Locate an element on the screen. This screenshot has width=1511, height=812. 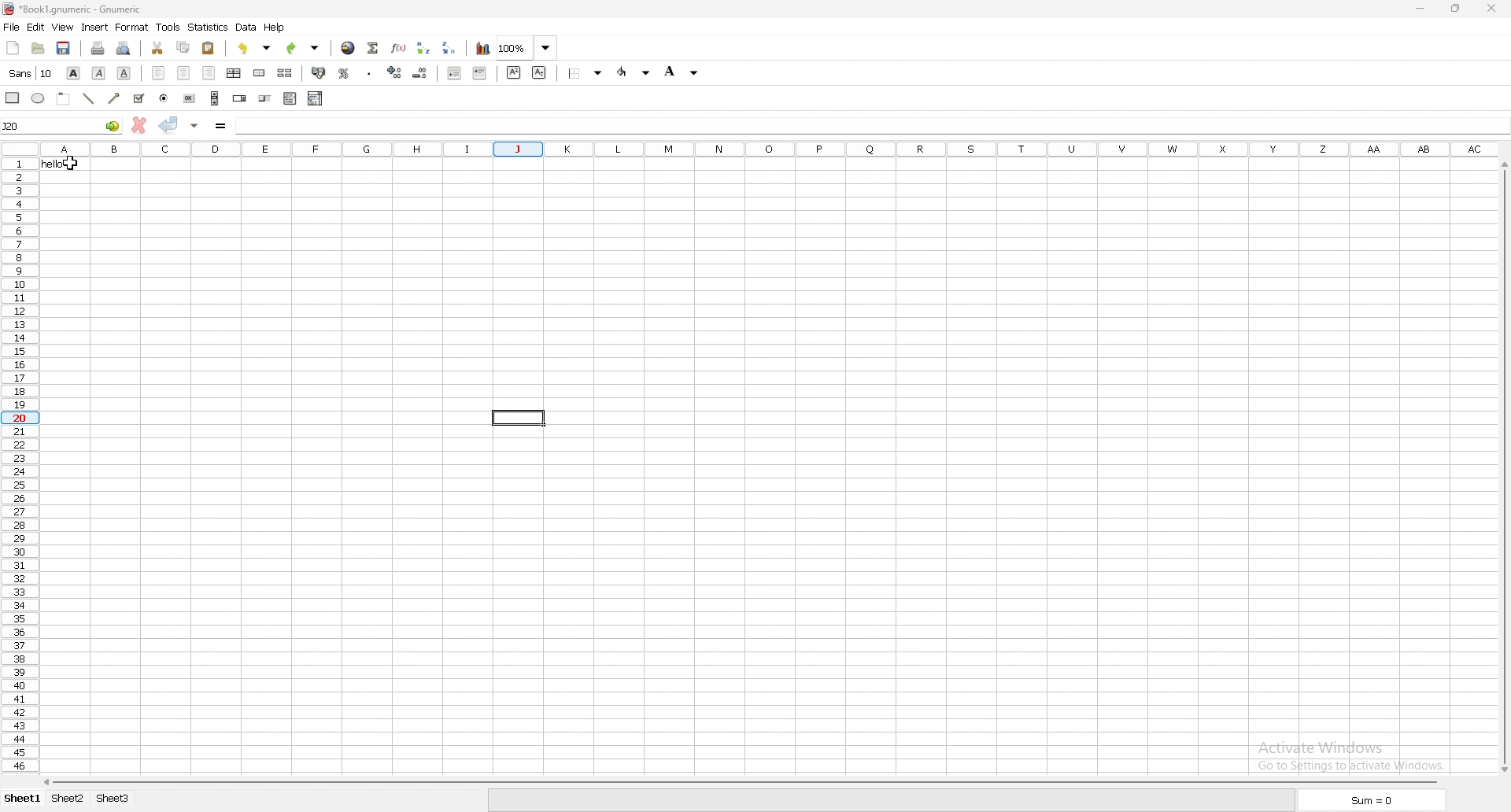
background is located at coordinates (636, 72).